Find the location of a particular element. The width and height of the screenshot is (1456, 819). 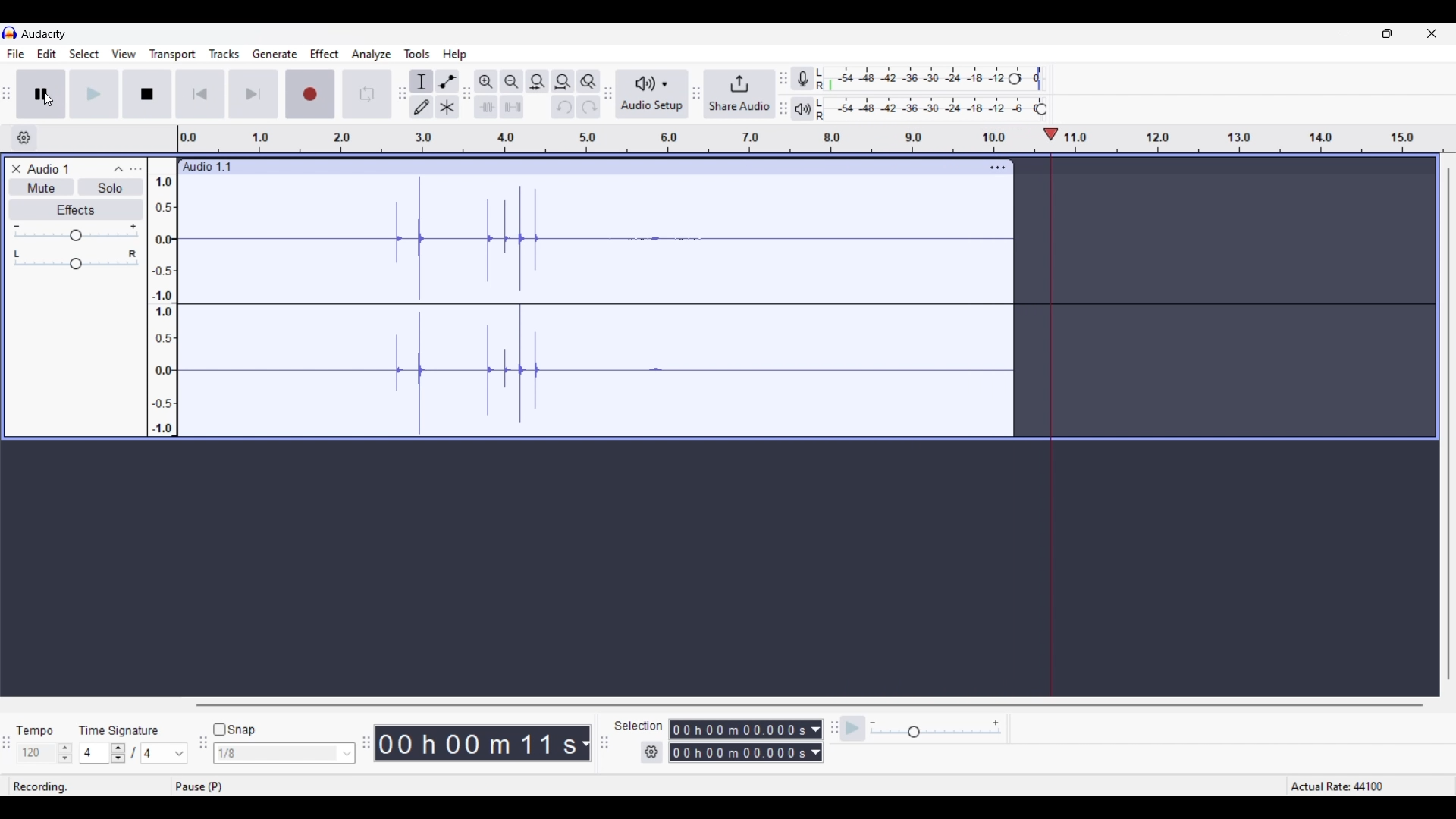

Record meter is located at coordinates (802, 79).